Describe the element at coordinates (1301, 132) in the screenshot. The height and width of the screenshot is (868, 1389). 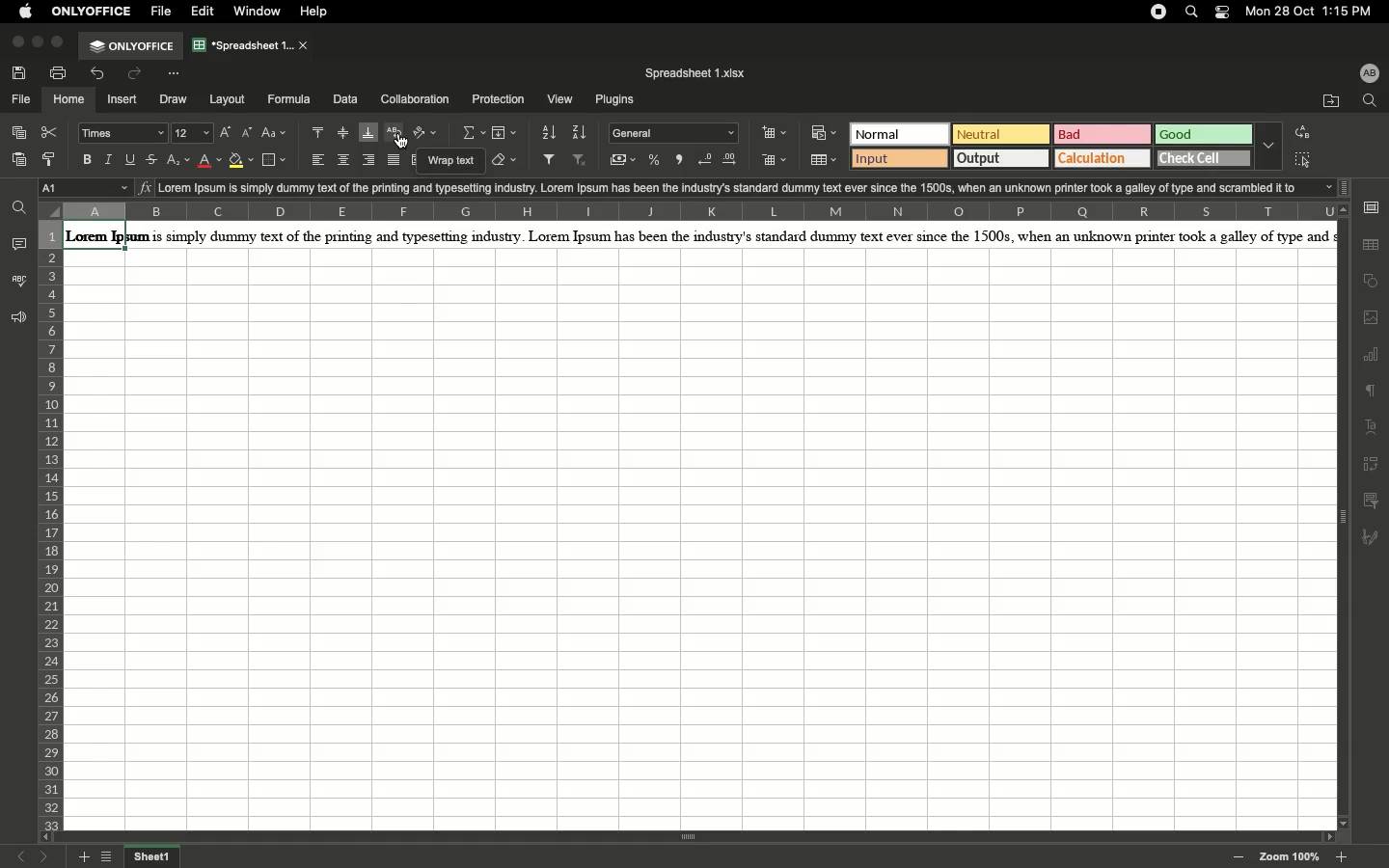
I see `Replace` at that location.